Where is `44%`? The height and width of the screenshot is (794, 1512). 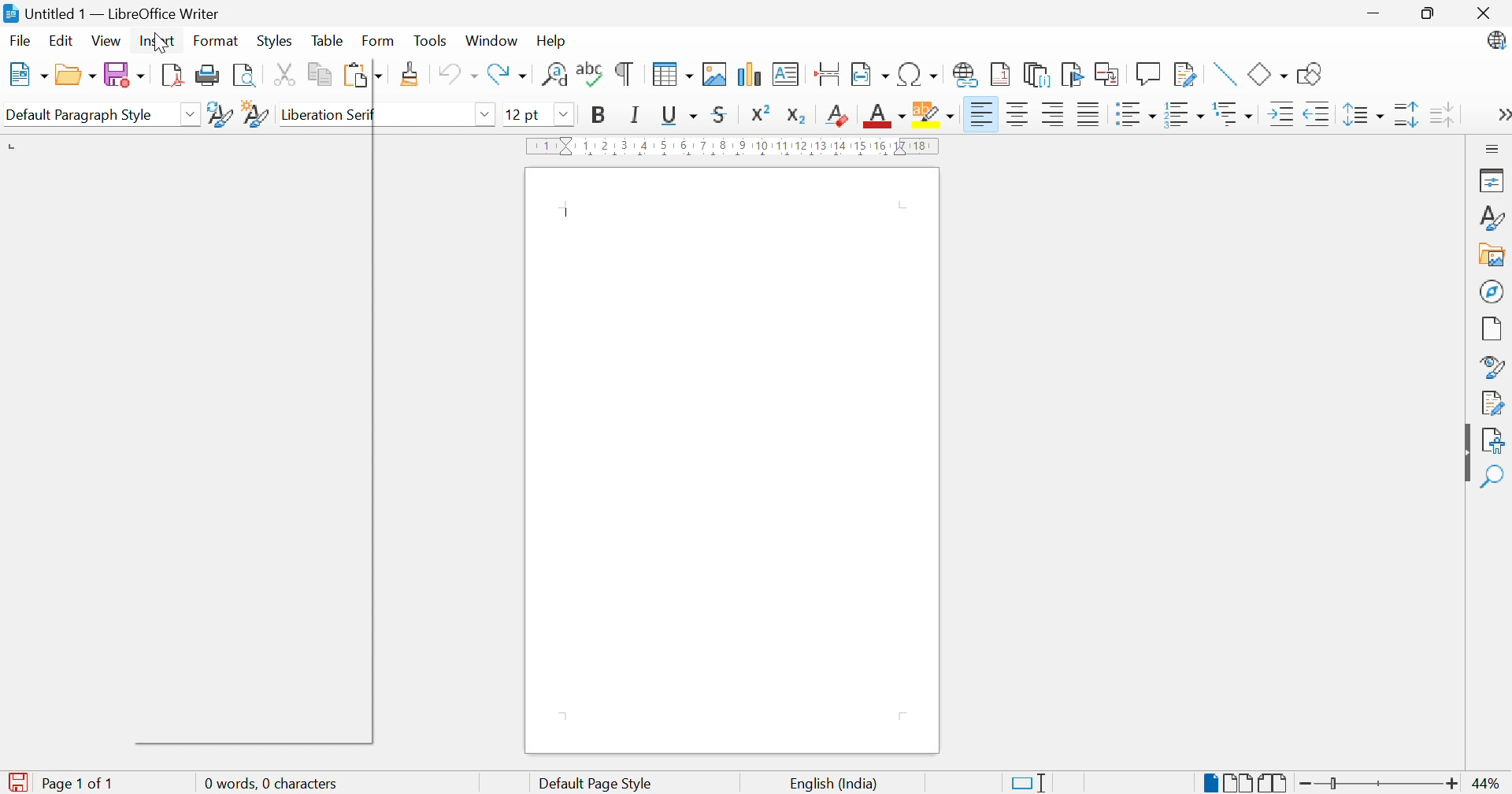 44% is located at coordinates (1488, 784).